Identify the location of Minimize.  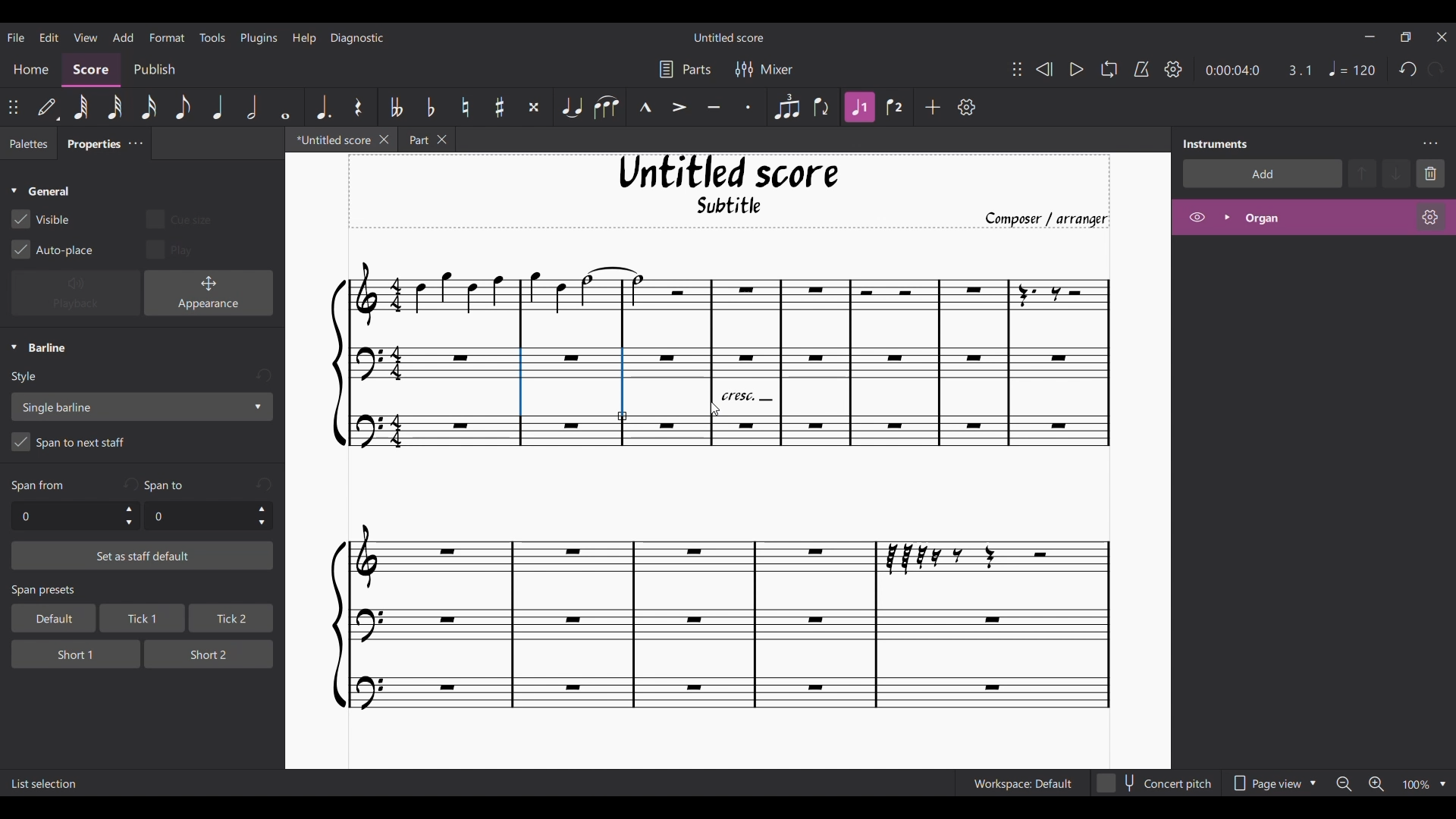
(1370, 36).